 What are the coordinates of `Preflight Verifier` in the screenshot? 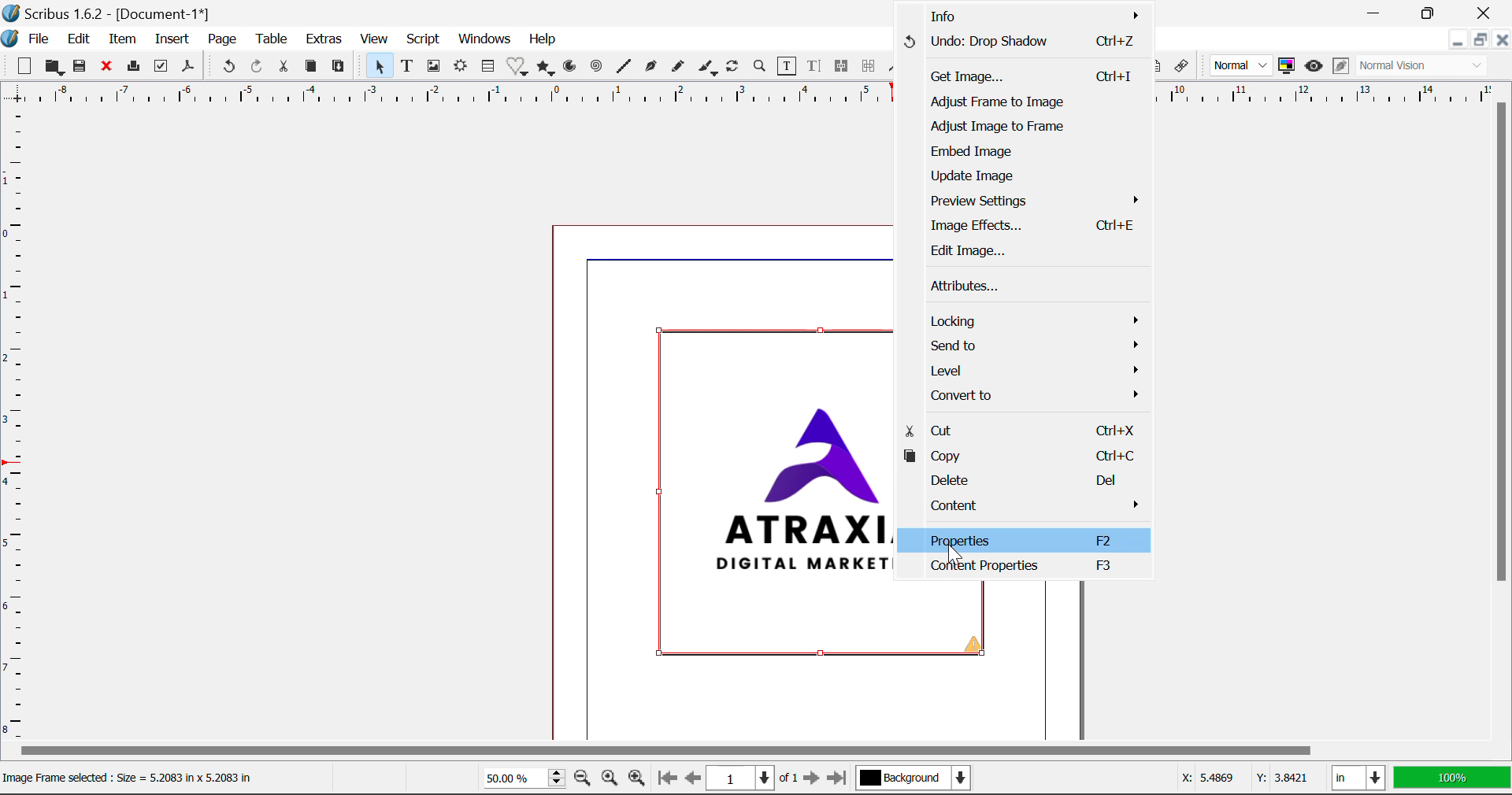 It's located at (161, 68).